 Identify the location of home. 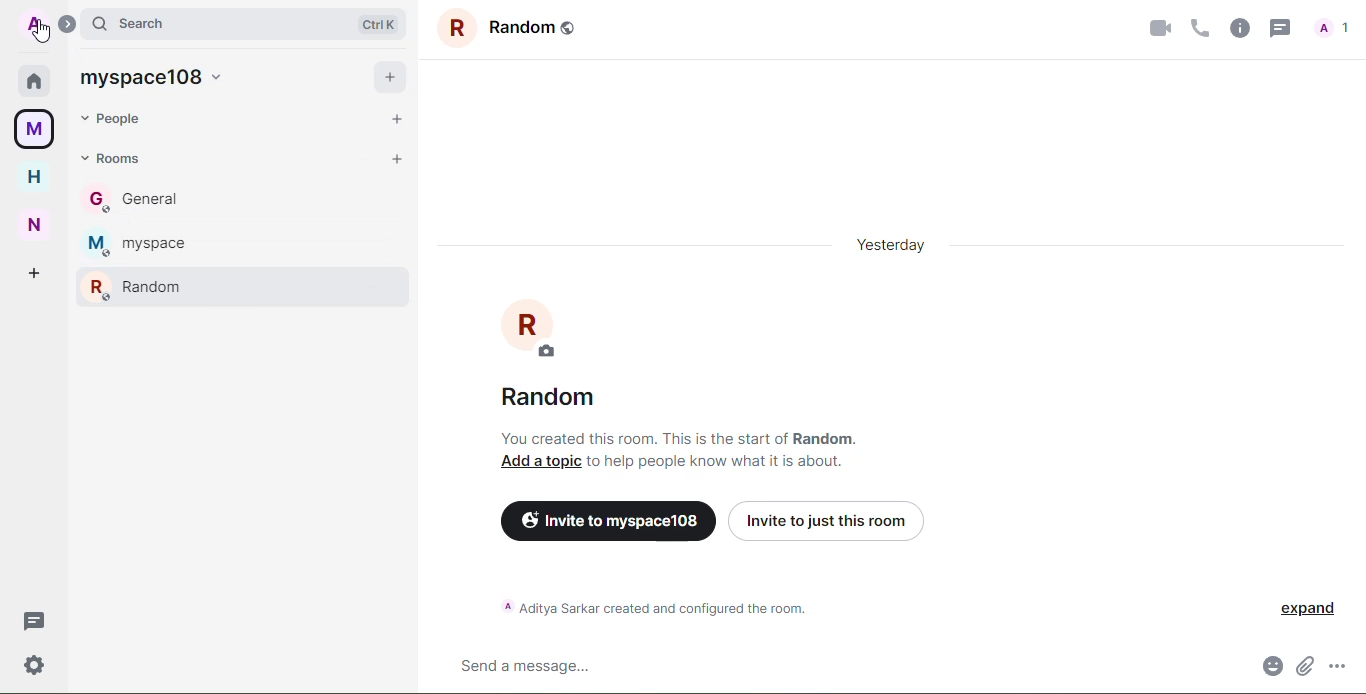
(38, 81).